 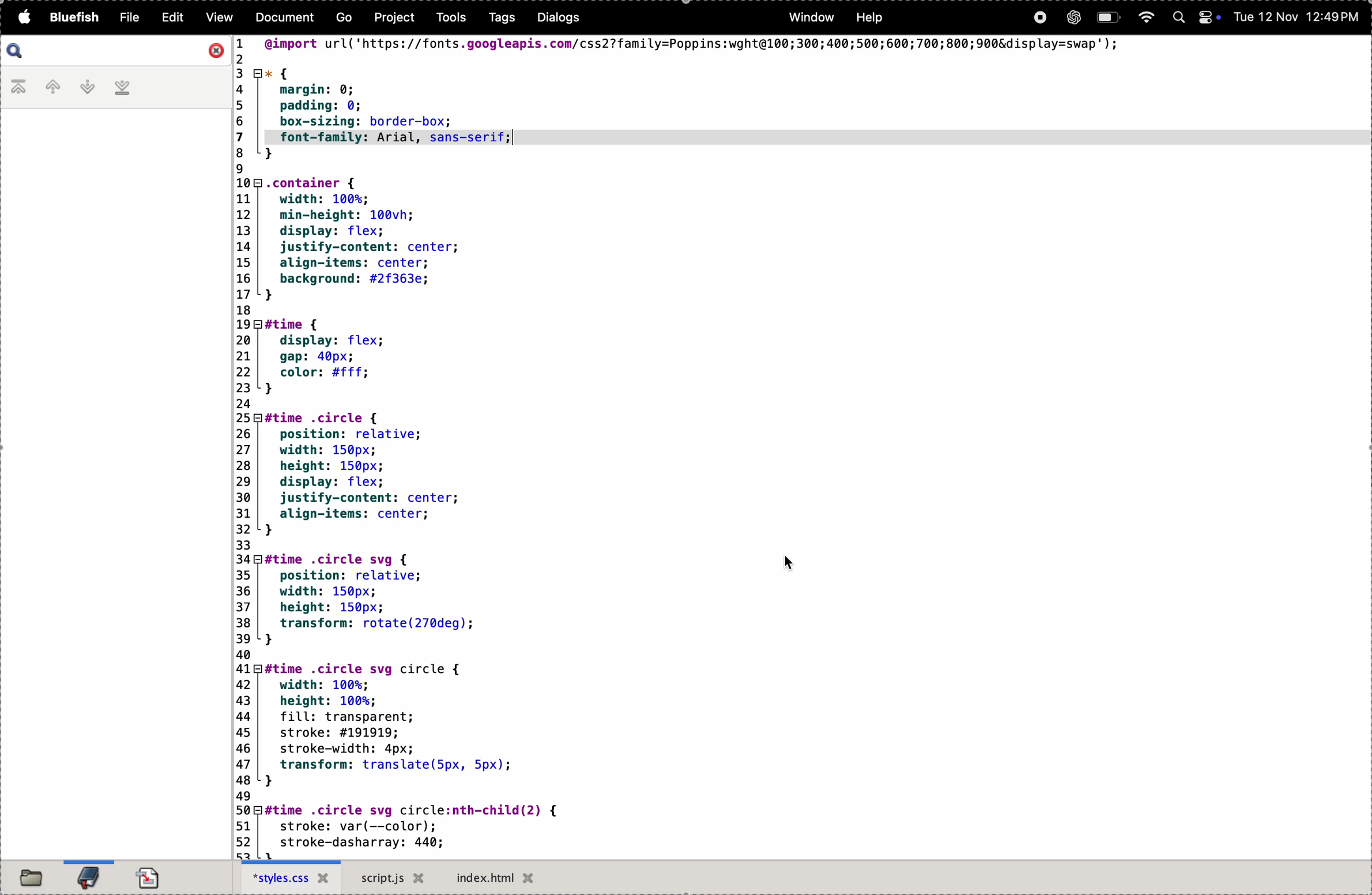 I want to click on go, so click(x=340, y=20).